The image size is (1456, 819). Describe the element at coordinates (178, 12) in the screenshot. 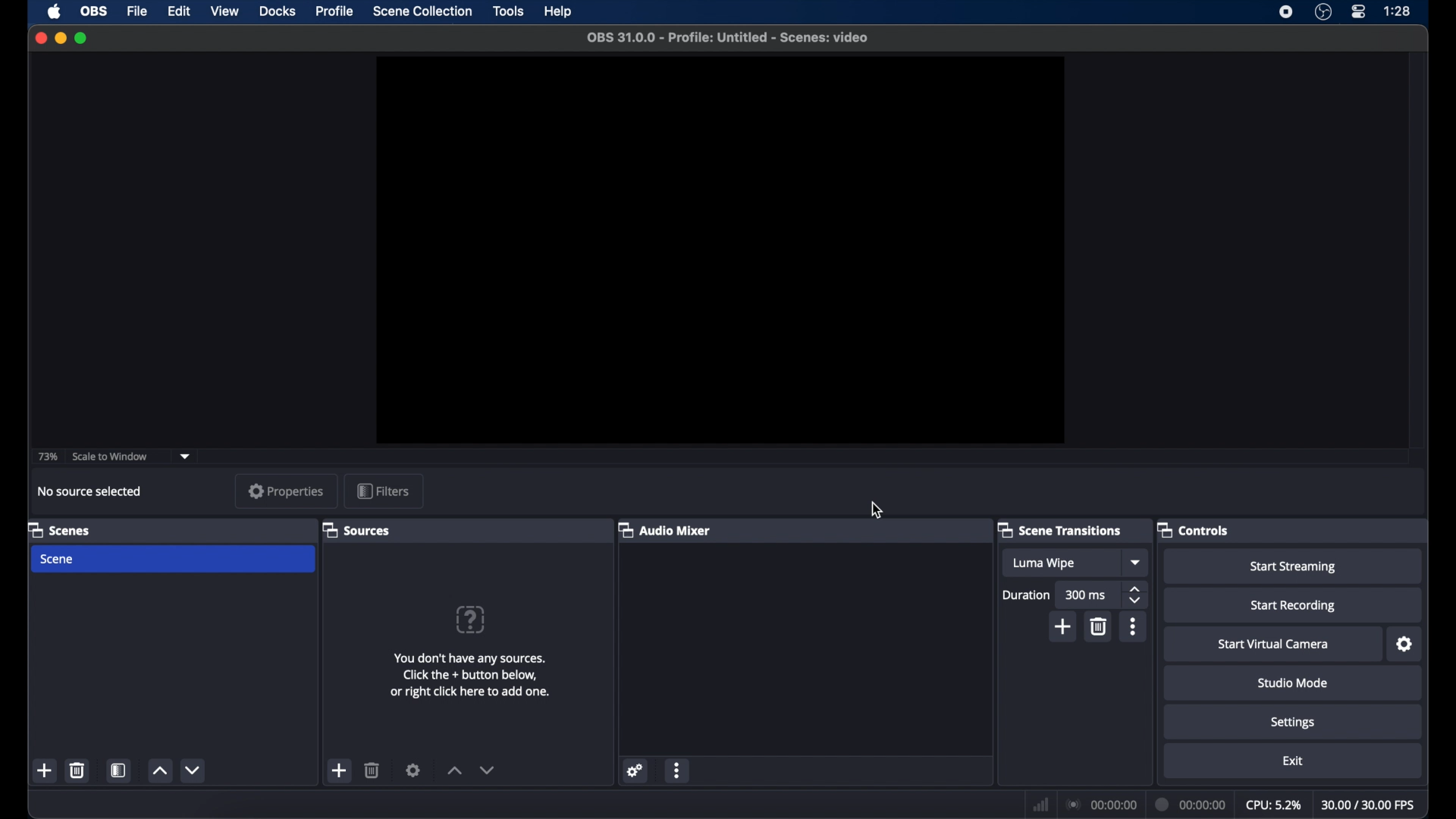

I see `edit` at that location.